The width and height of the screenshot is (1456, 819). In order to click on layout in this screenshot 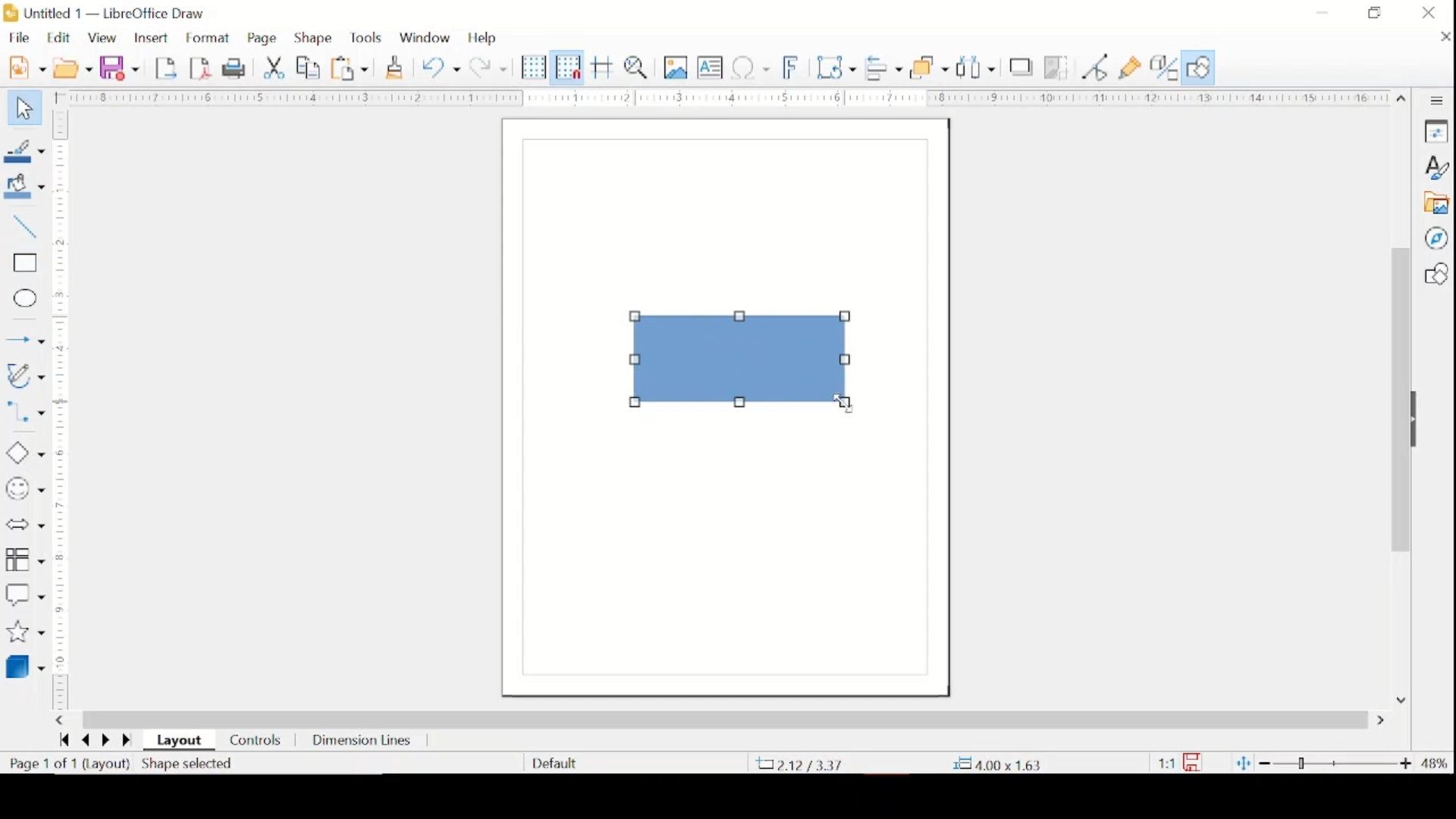, I will do `click(182, 741)`.